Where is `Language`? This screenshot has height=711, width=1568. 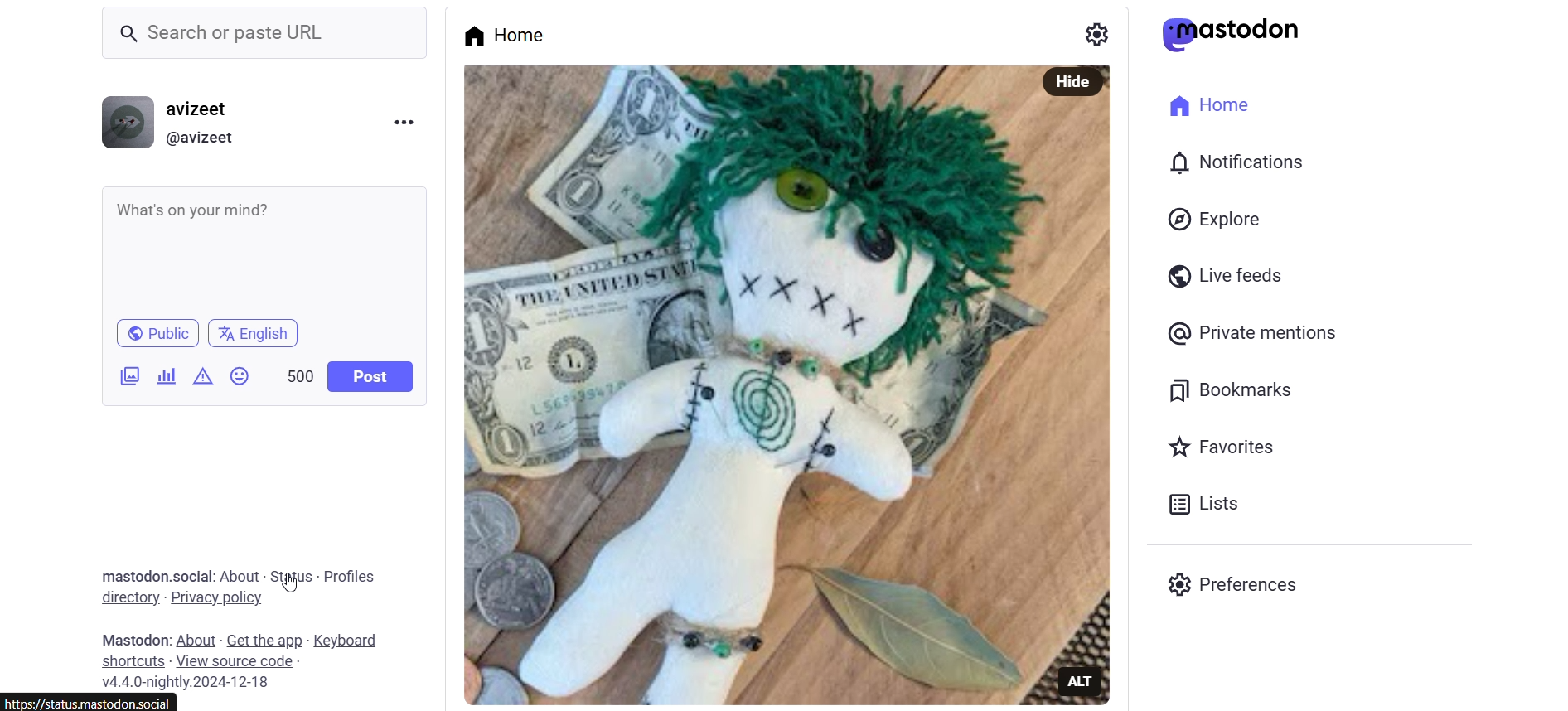
Language is located at coordinates (258, 331).